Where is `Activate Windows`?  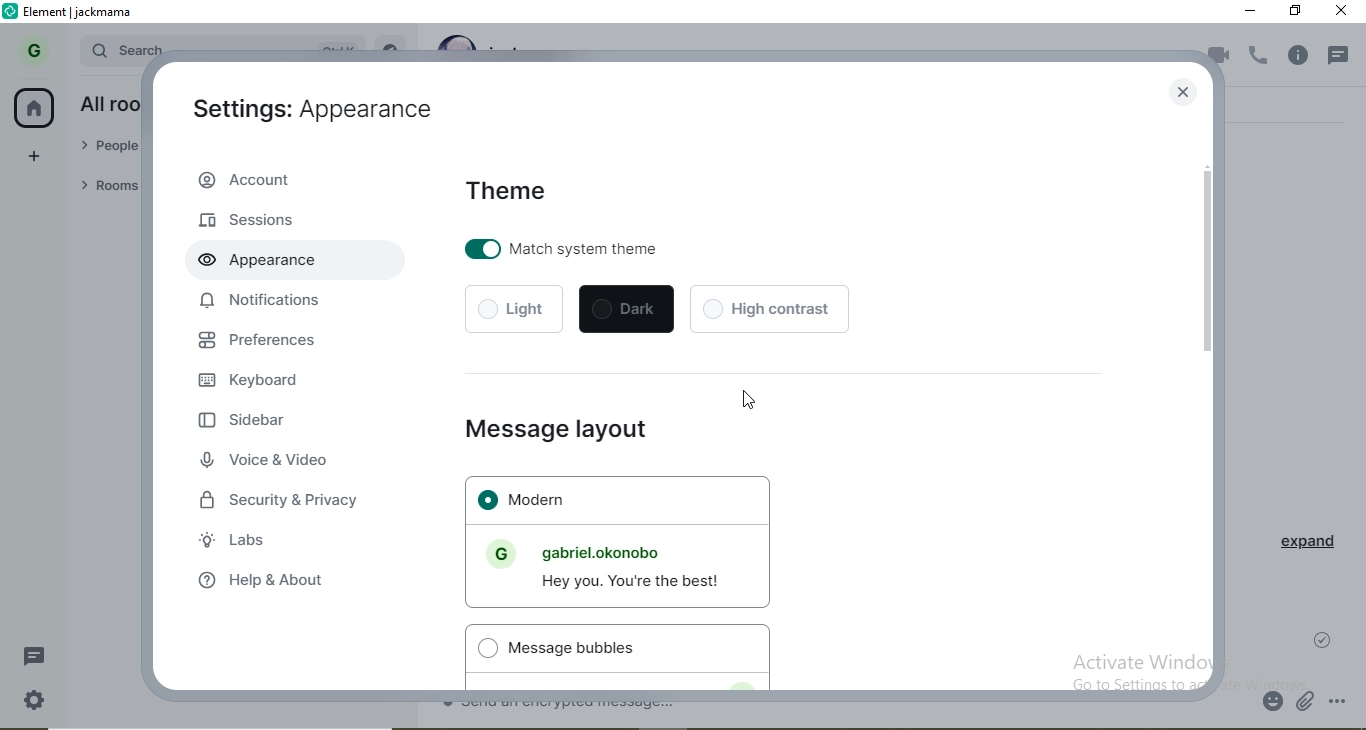 Activate Windows is located at coordinates (1146, 661).